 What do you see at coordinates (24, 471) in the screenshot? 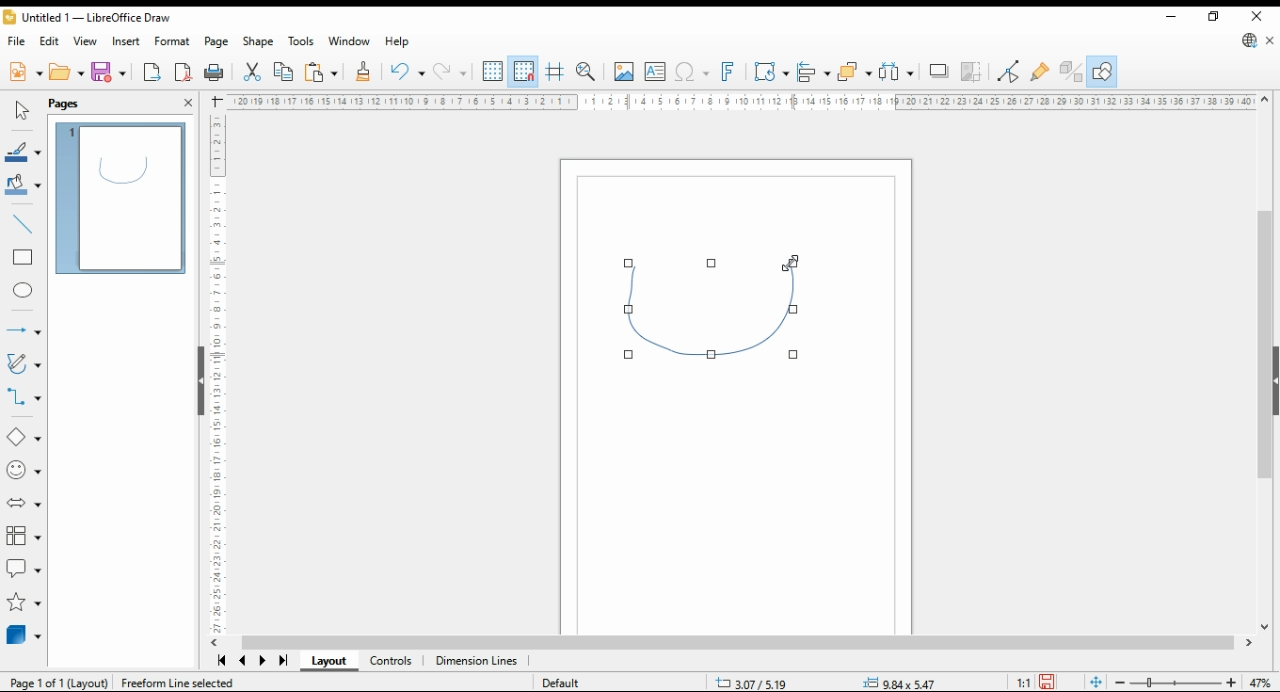
I see `symbol shapes` at bounding box center [24, 471].